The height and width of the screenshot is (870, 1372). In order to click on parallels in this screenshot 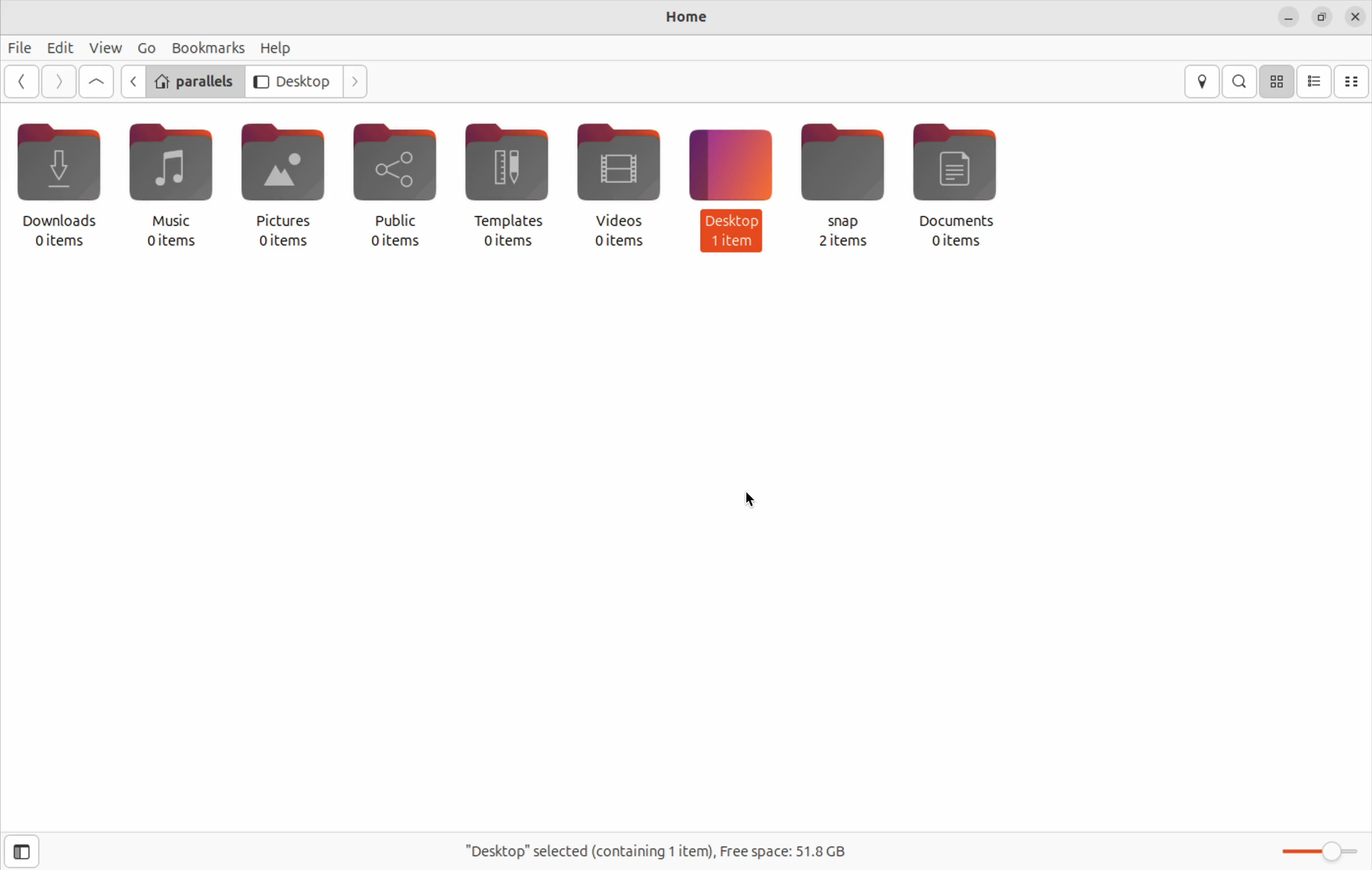, I will do `click(191, 80)`.